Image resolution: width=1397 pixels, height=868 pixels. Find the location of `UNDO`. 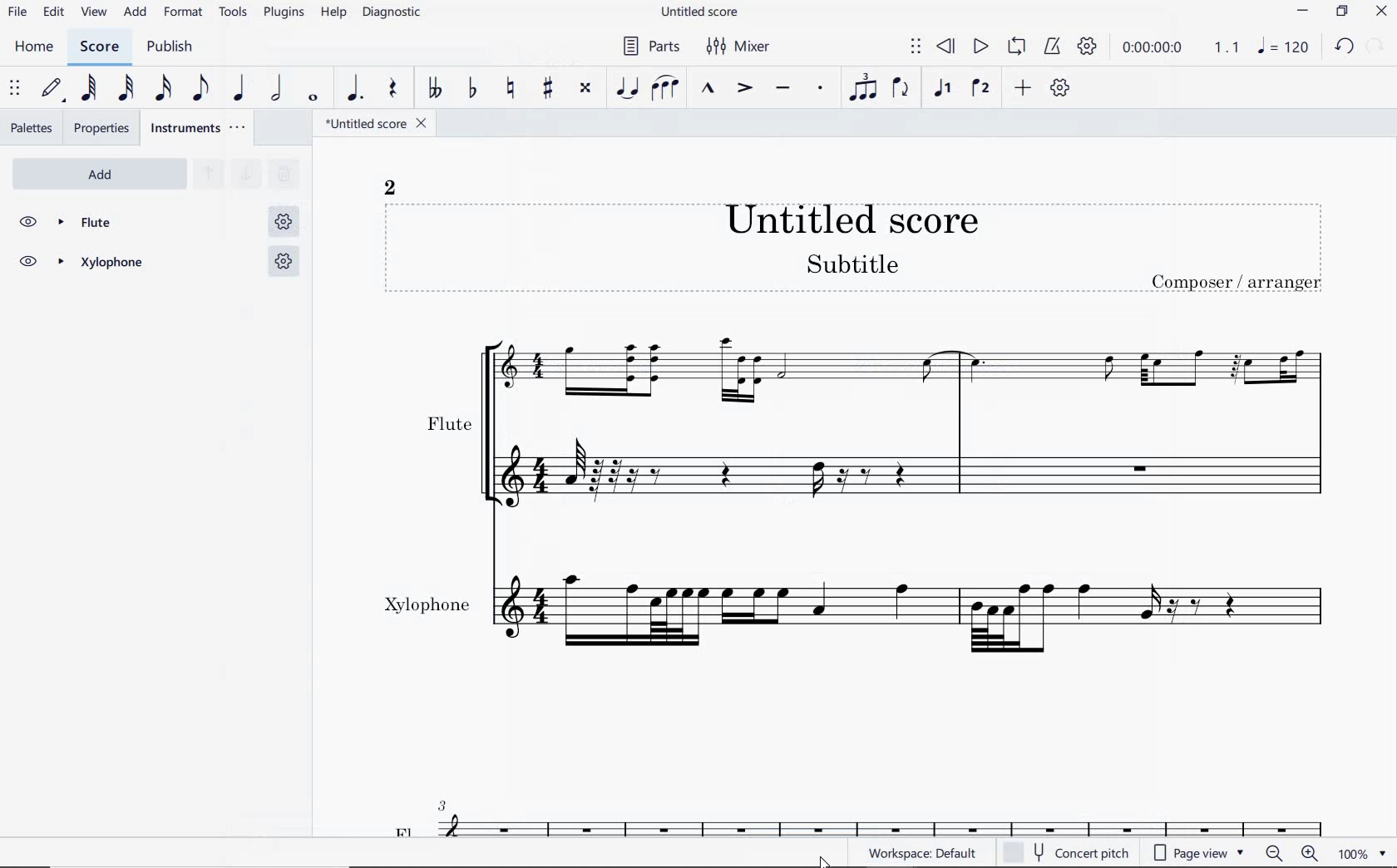

UNDO is located at coordinates (1343, 47).